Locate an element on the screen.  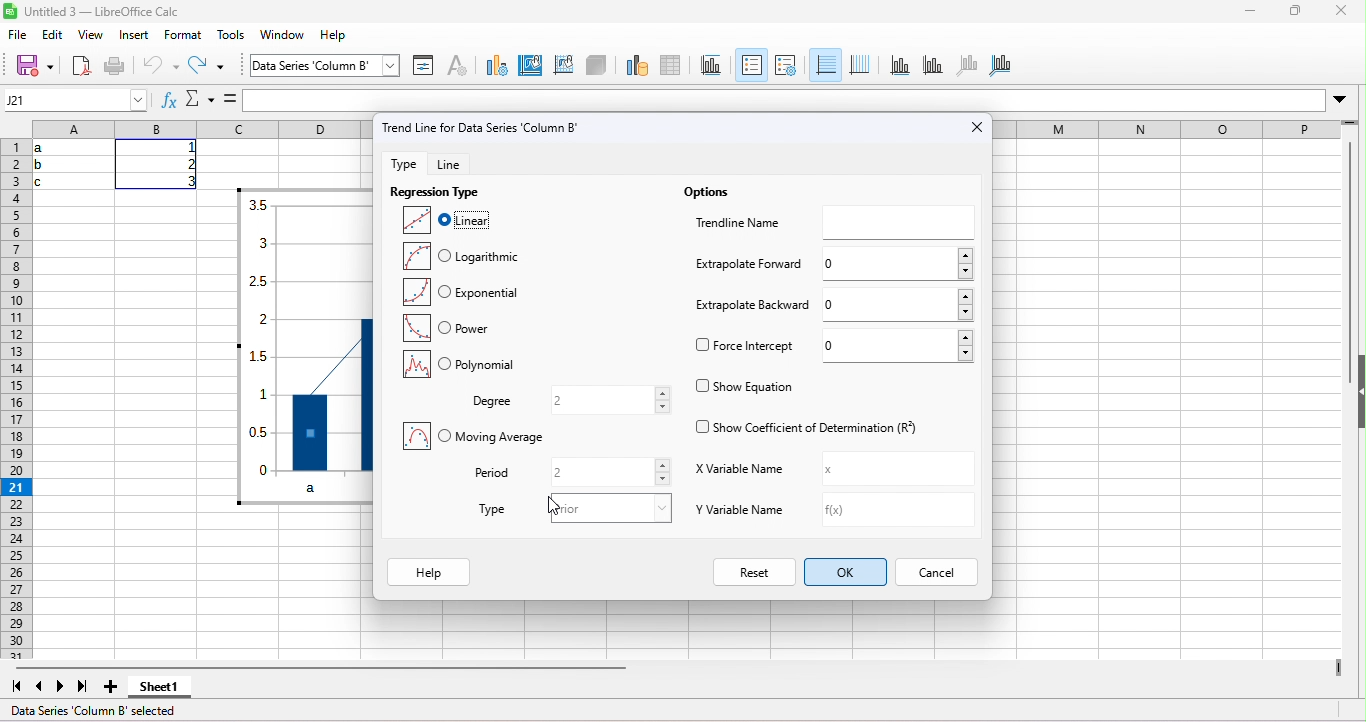
chart area is located at coordinates (313, 67).